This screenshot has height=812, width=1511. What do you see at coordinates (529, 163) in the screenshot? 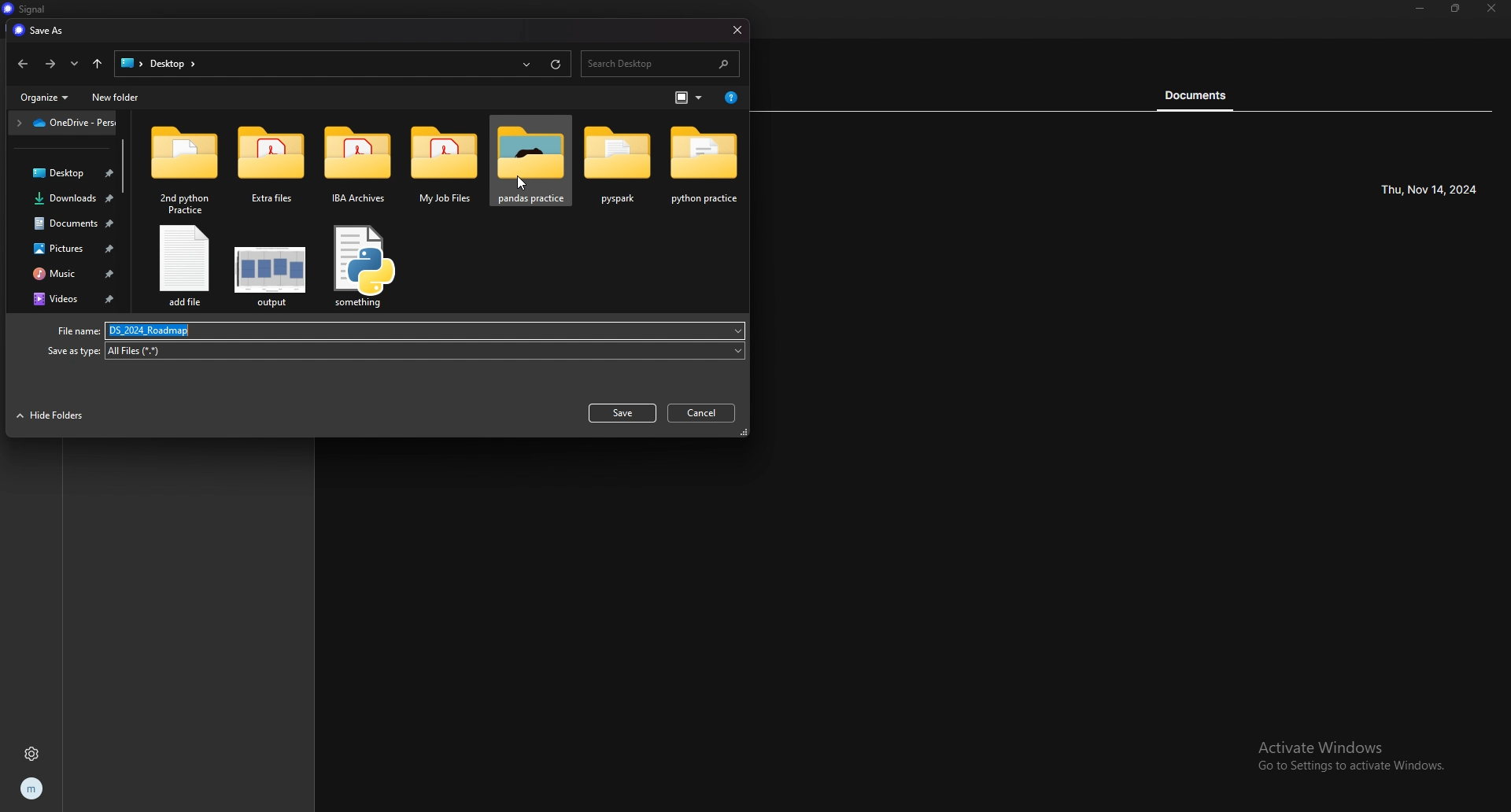
I see `folder` at bounding box center [529, 163].